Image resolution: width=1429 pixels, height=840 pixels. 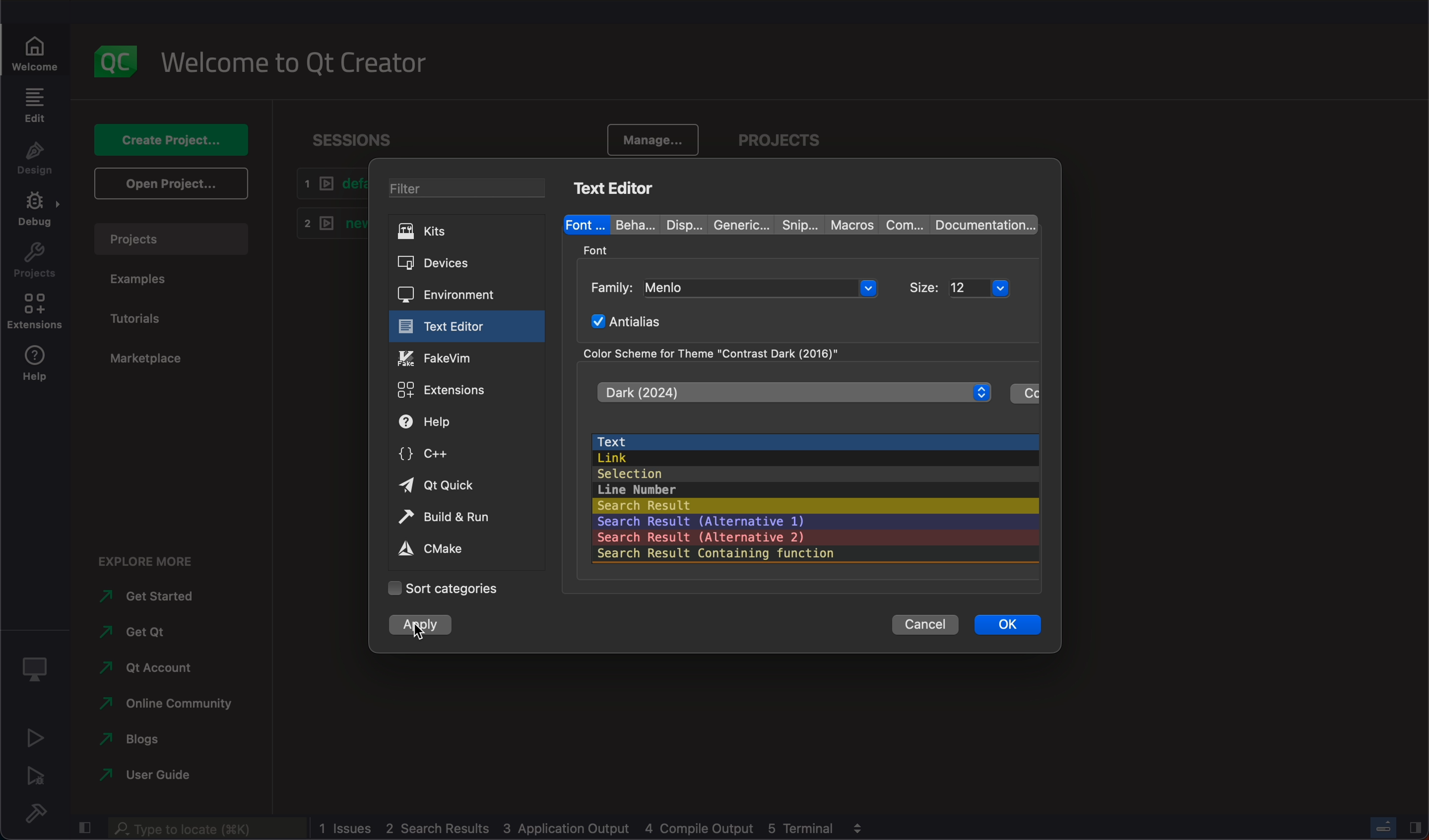 I want to click on welcome to Qt, so click(x=303, y=65).